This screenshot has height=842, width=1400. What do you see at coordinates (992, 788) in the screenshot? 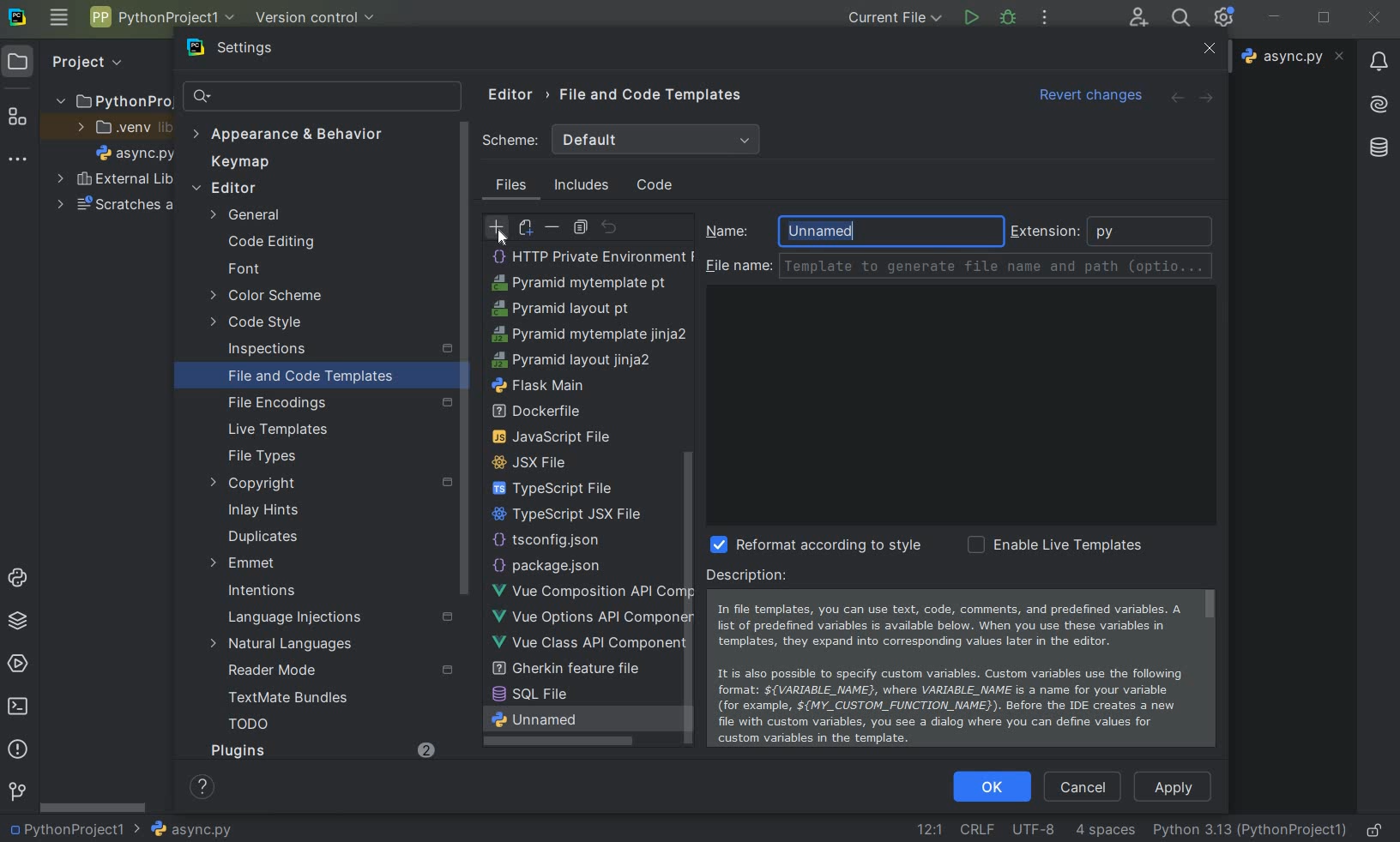
I see `ok` at bounding box center [992, 788].